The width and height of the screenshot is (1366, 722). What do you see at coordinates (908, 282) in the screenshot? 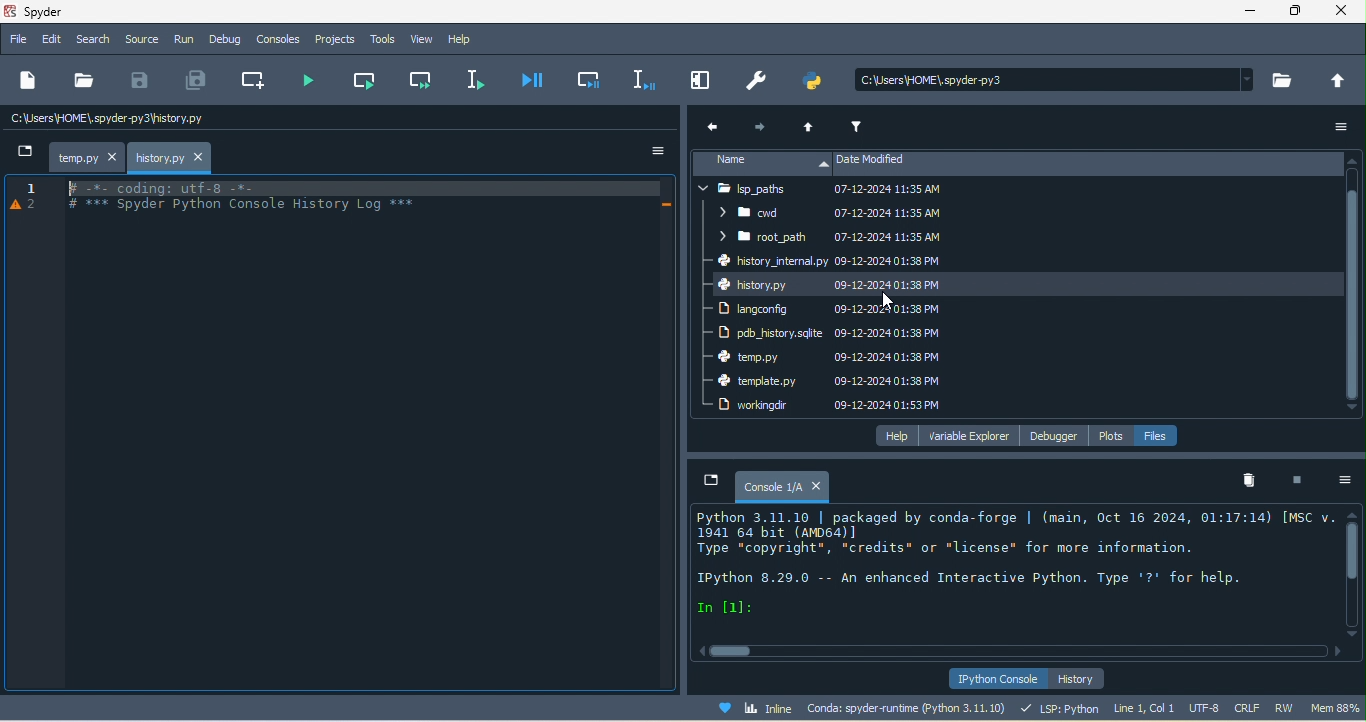
I see `date modified` at bounding box center [908, 282].